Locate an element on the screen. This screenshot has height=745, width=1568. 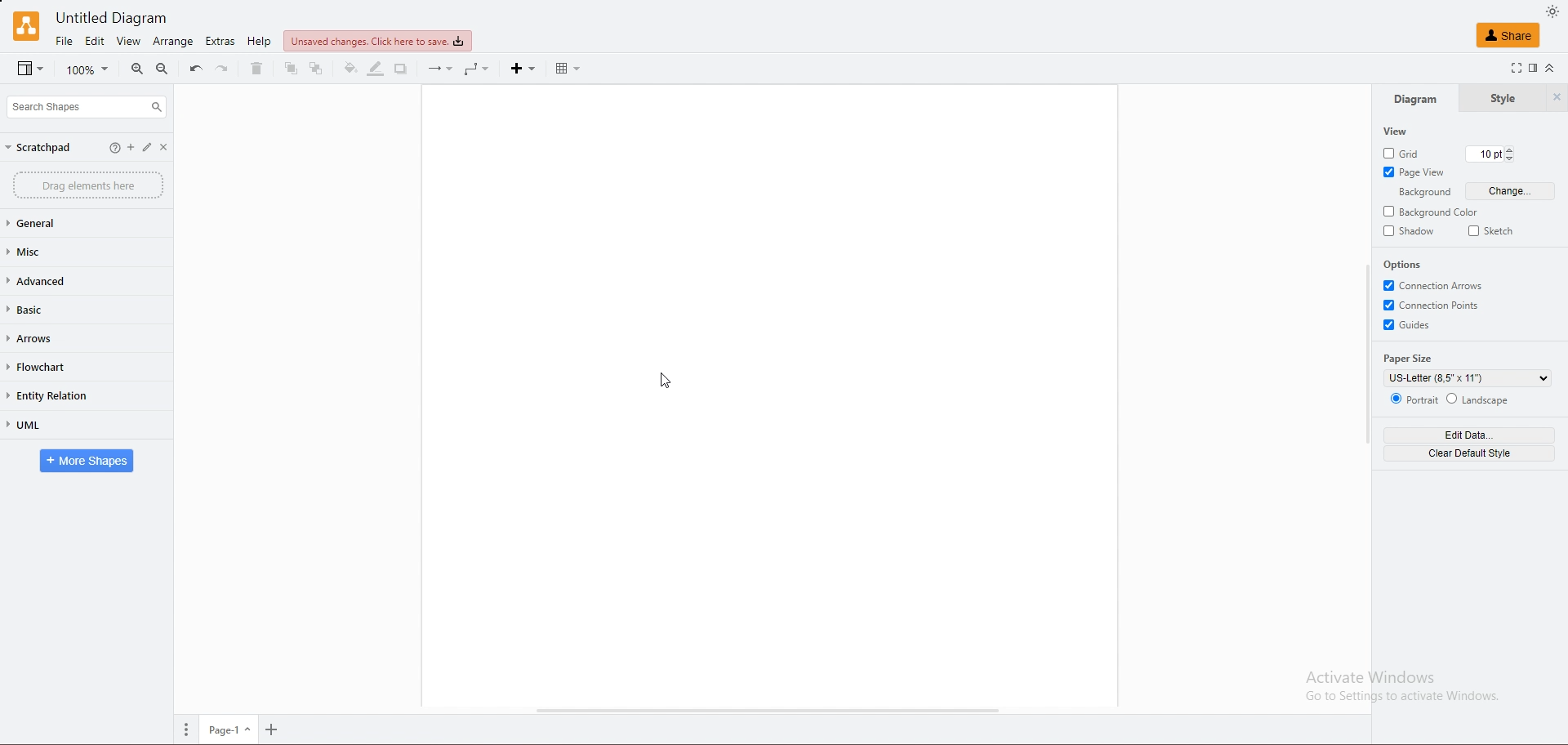
current grid pt 10 pt is located at coordinates (1482, 153).